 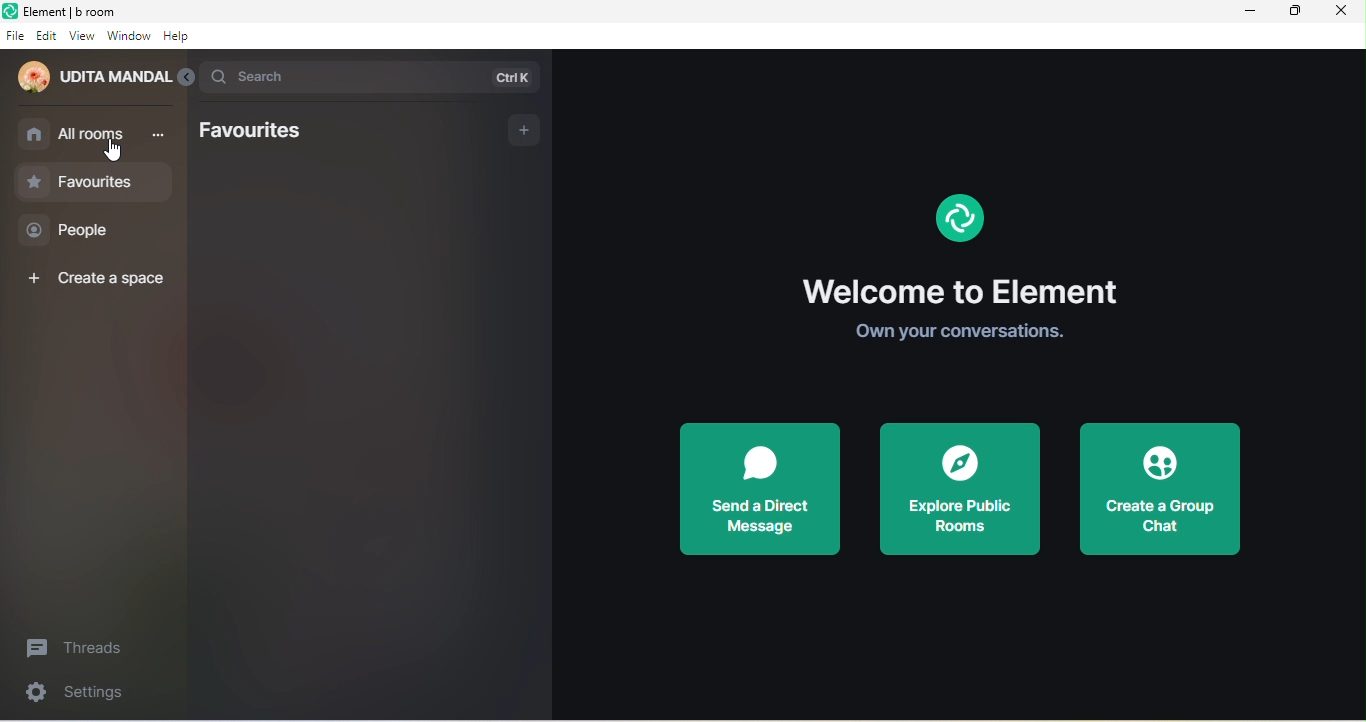 I want to click on cursor, so click(x=116, y=152).